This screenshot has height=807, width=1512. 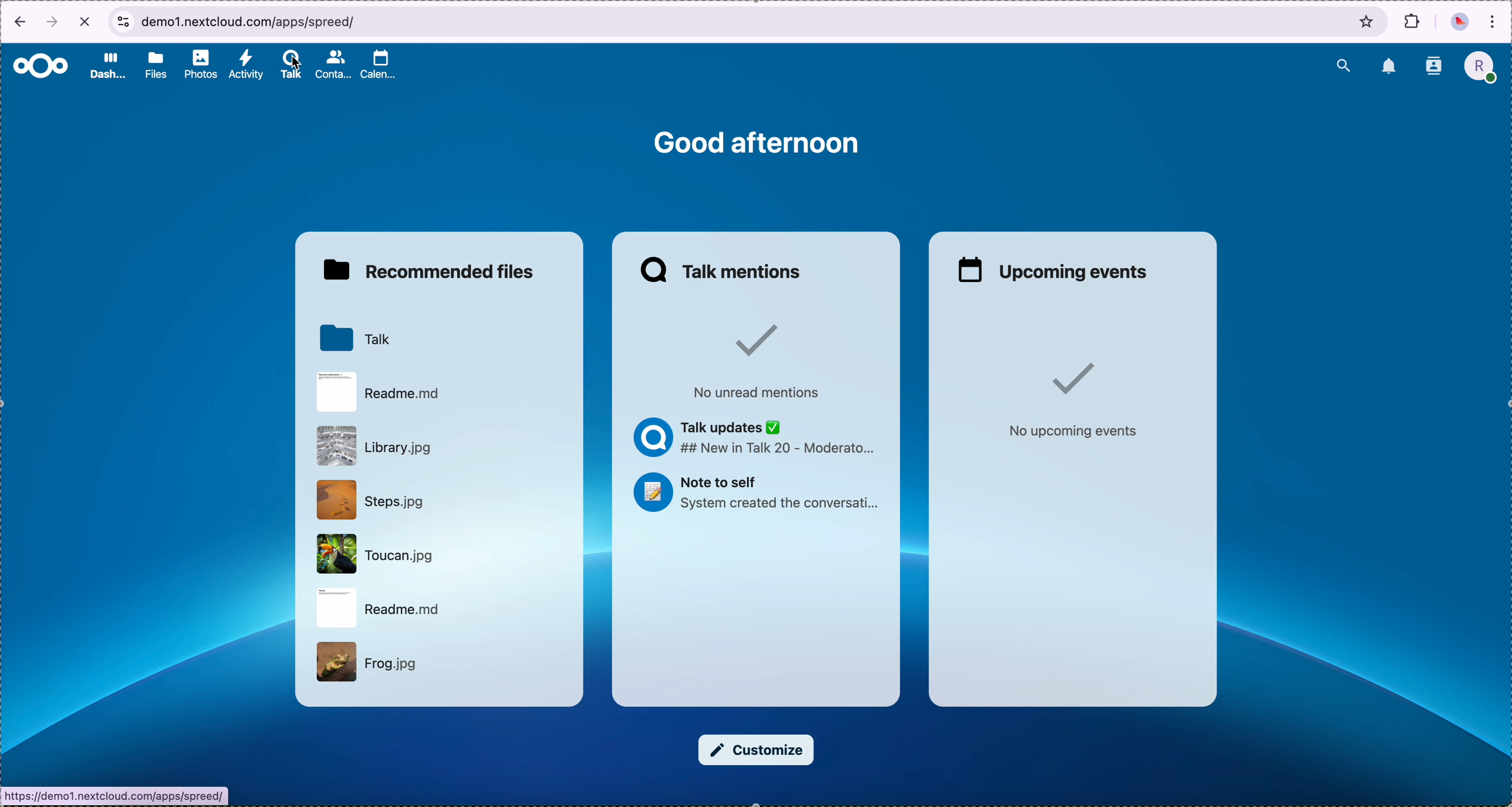 I want to click on customize and control Google Chrome, so click(x=1493, y=25).